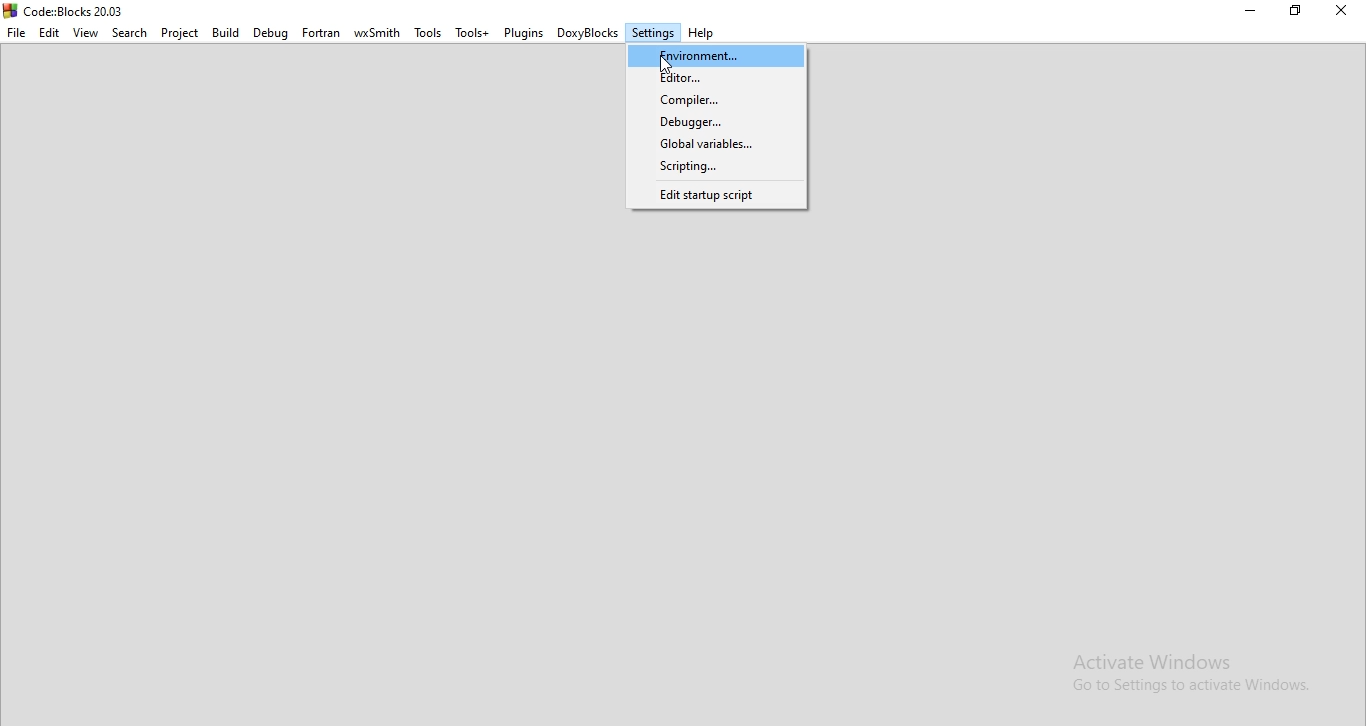 The height and width of the screenshot is (726, 1366). What do you see at coordinates (589, 34) in the screenshot?
I see `DoxyBlocks` at bounding box center [589, 34].